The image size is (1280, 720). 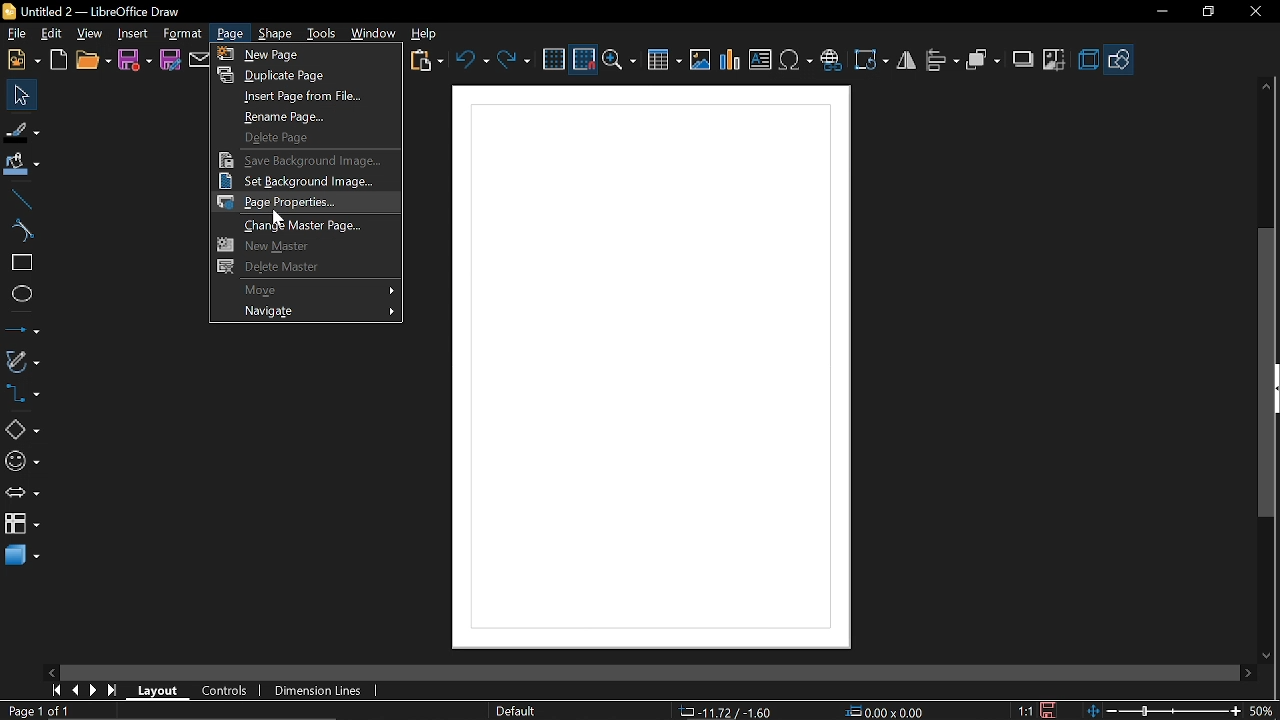 I want to click on Flowchart, so click(x=20, y=522).